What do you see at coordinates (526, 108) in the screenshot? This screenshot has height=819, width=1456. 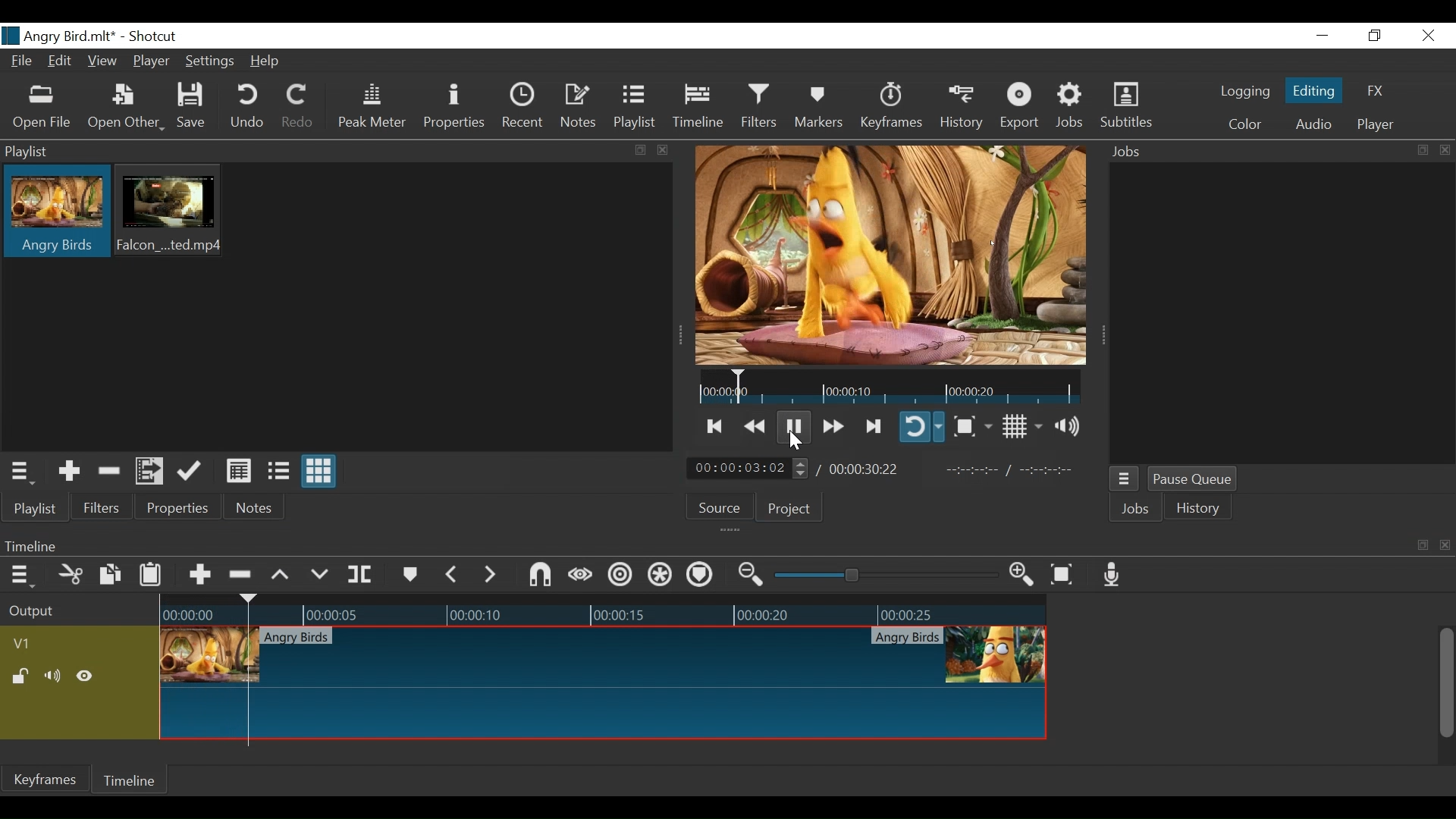 I see `Recent` at bounding box center [526, 108].